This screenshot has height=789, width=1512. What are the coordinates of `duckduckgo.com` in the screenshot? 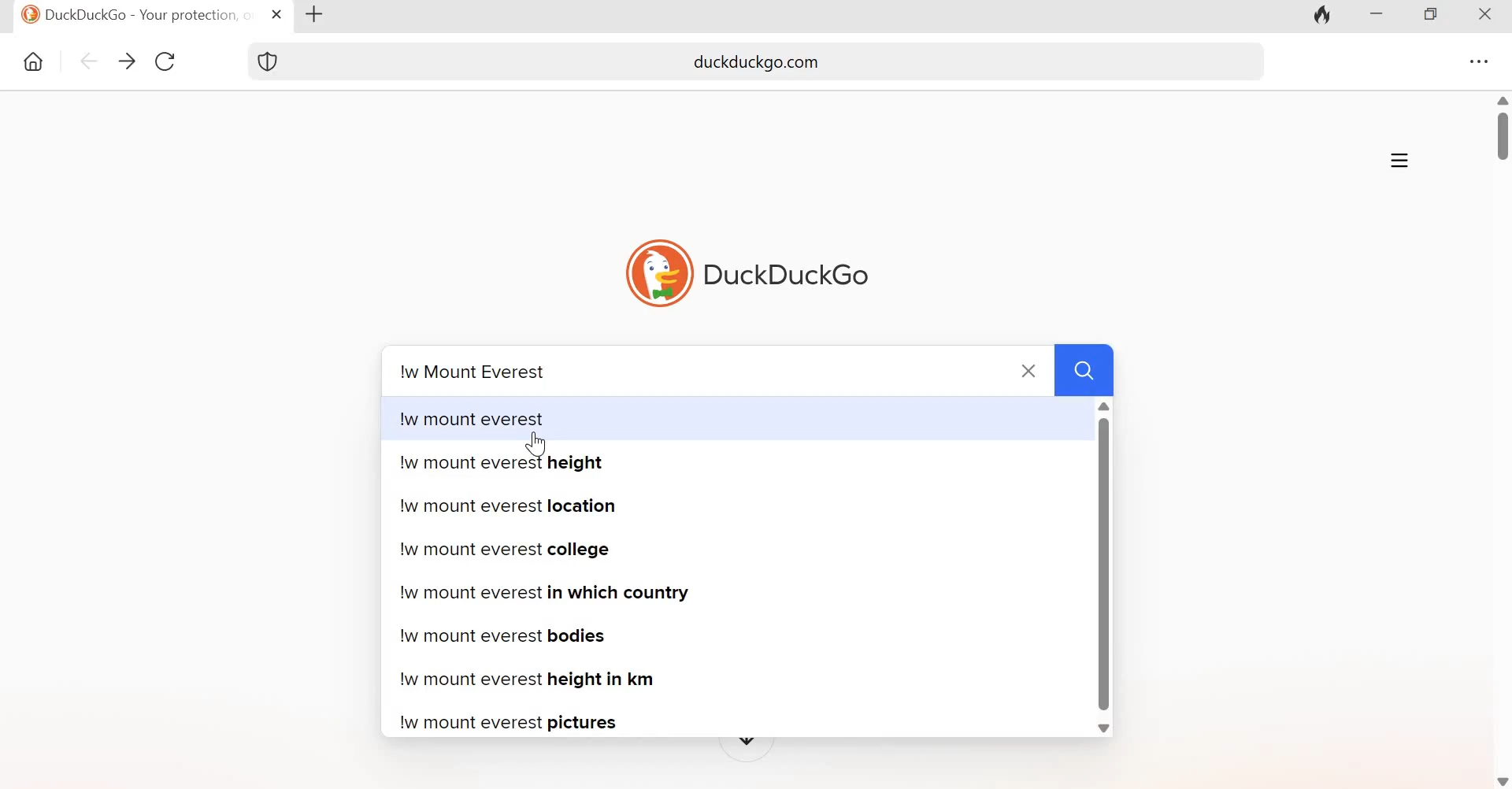 It's located at (785, 61).